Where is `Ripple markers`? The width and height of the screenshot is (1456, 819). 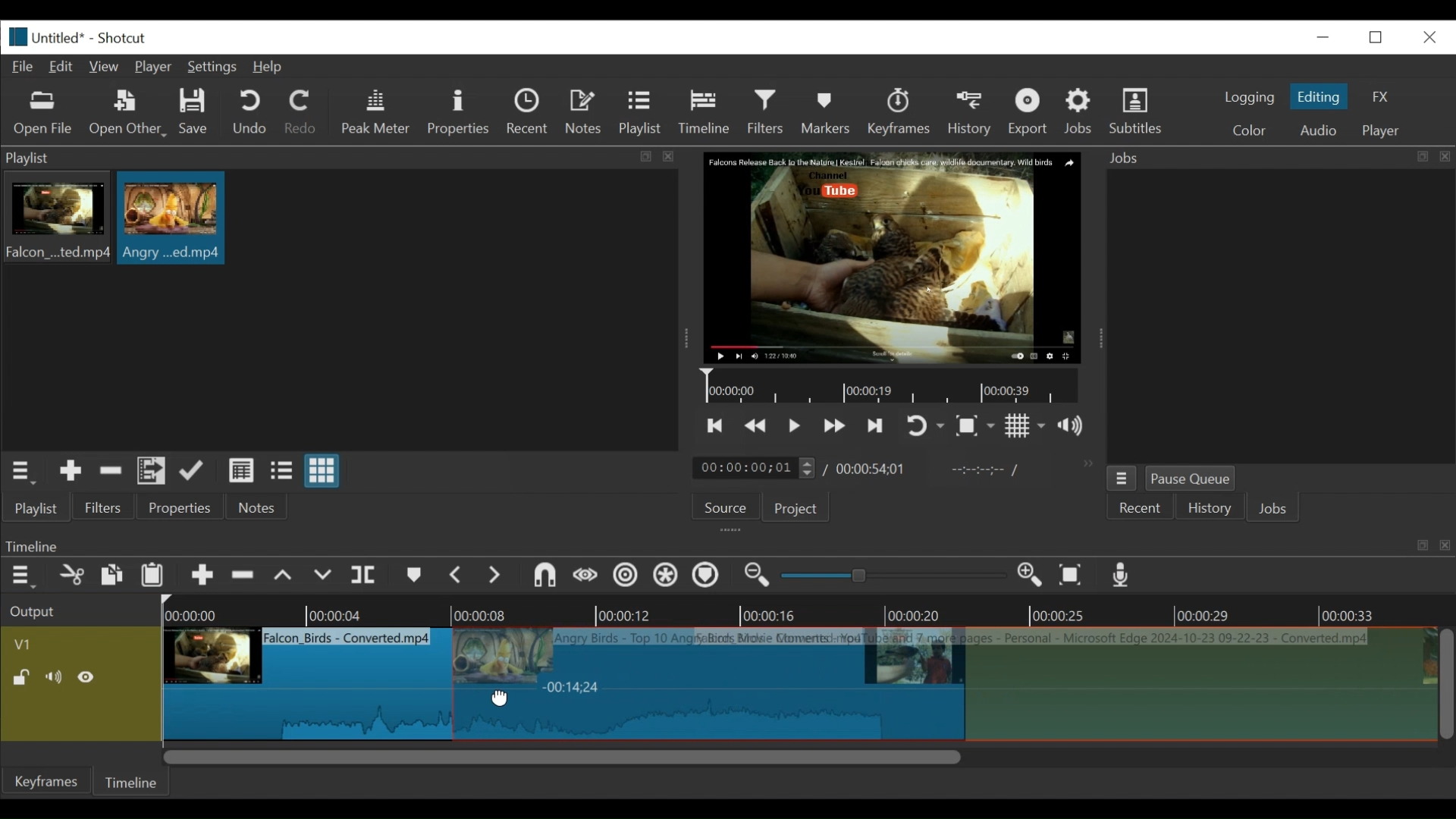
Ripple markers is located at coordinates (709, 577).